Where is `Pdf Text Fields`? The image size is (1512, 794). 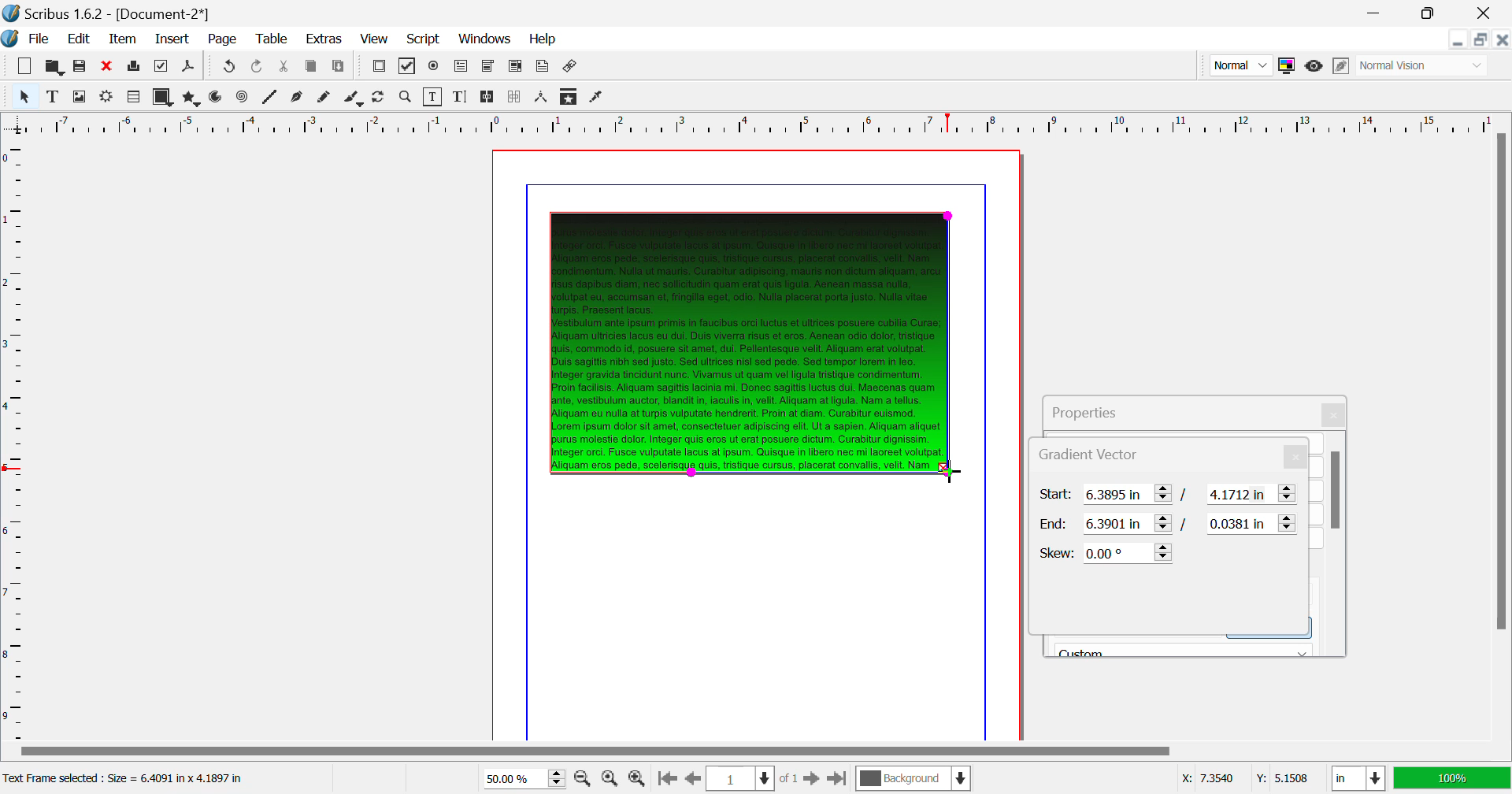
Pdf Text Fields is located at coordinates (461, 67).